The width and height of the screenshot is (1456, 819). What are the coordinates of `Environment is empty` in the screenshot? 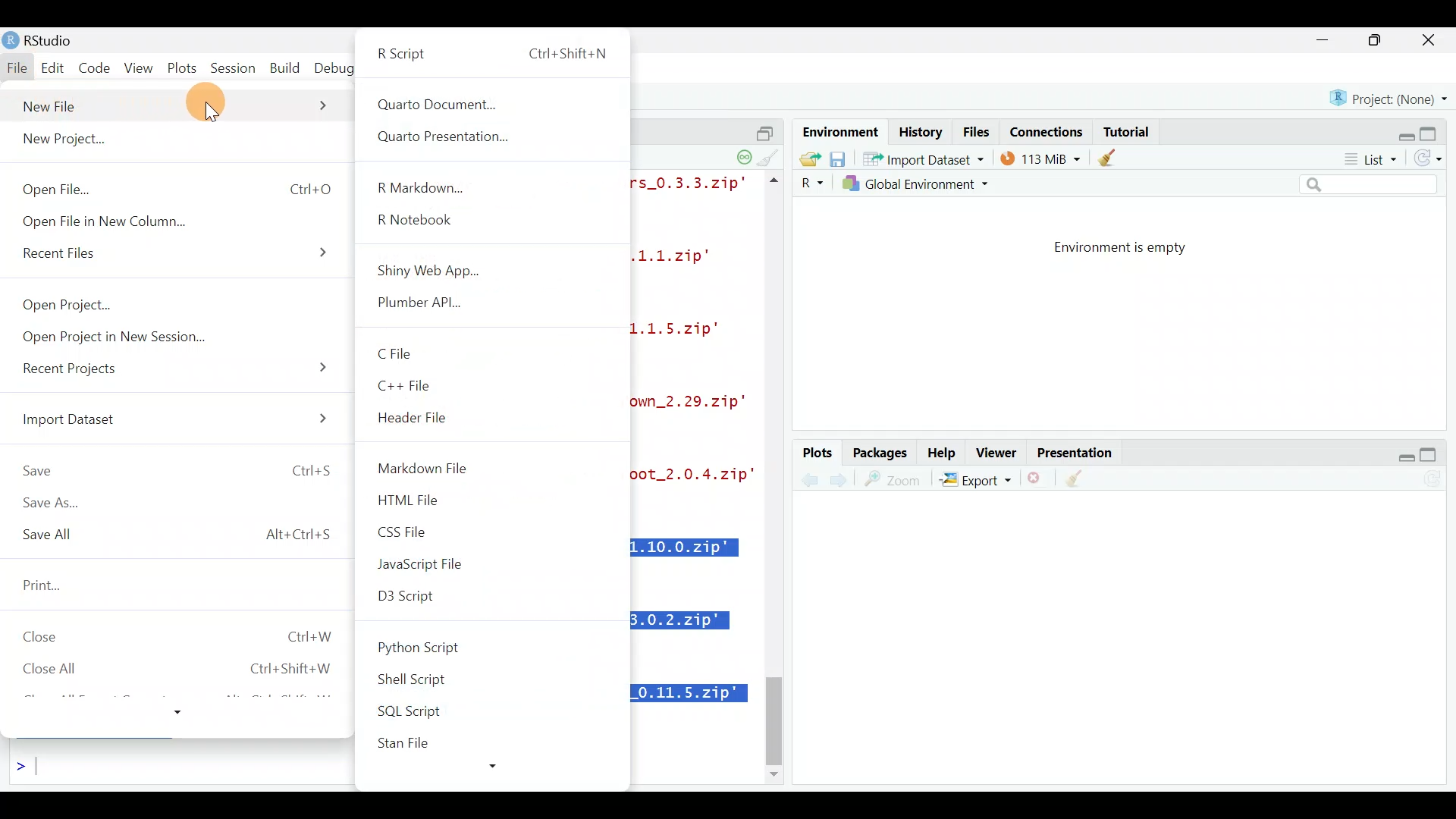 It's located at (1133, 248).